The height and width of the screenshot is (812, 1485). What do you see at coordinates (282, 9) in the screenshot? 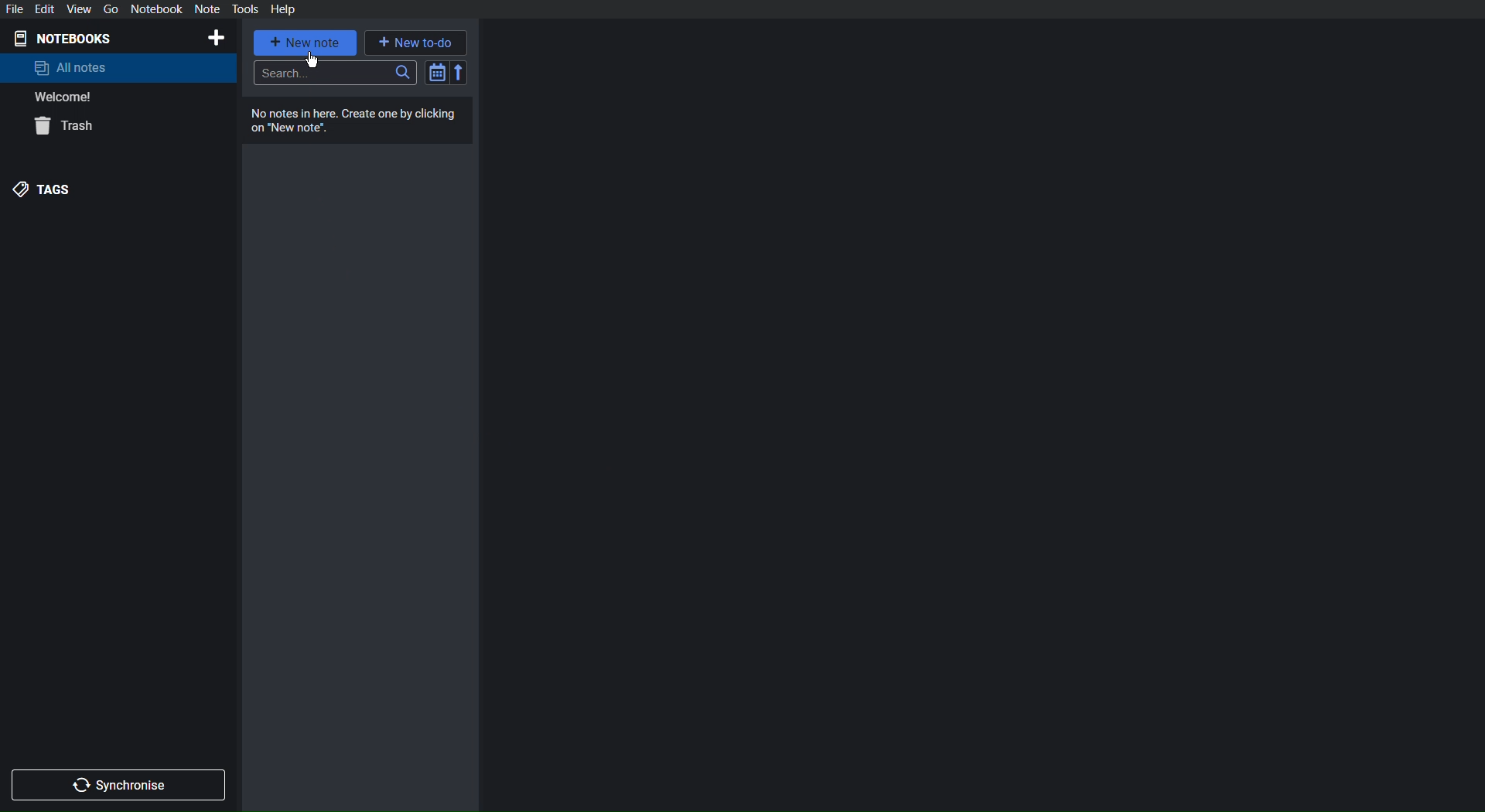
I see `Help` at bounding box center [282, 9].